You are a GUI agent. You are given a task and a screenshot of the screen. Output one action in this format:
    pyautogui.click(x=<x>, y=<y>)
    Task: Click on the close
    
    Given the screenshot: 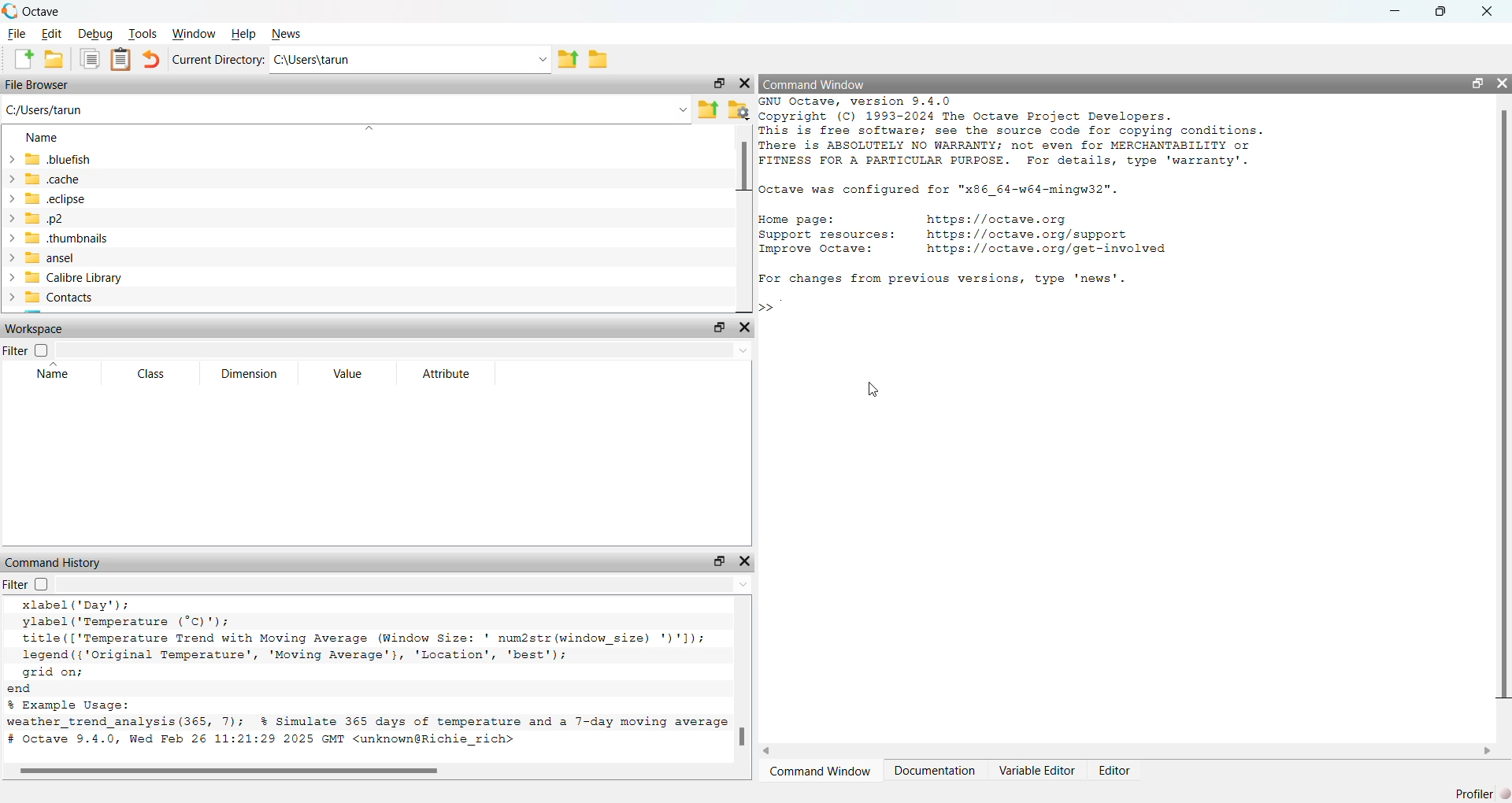 What is the action you would take?
    pyautogui.click(x=743, y=83)
    